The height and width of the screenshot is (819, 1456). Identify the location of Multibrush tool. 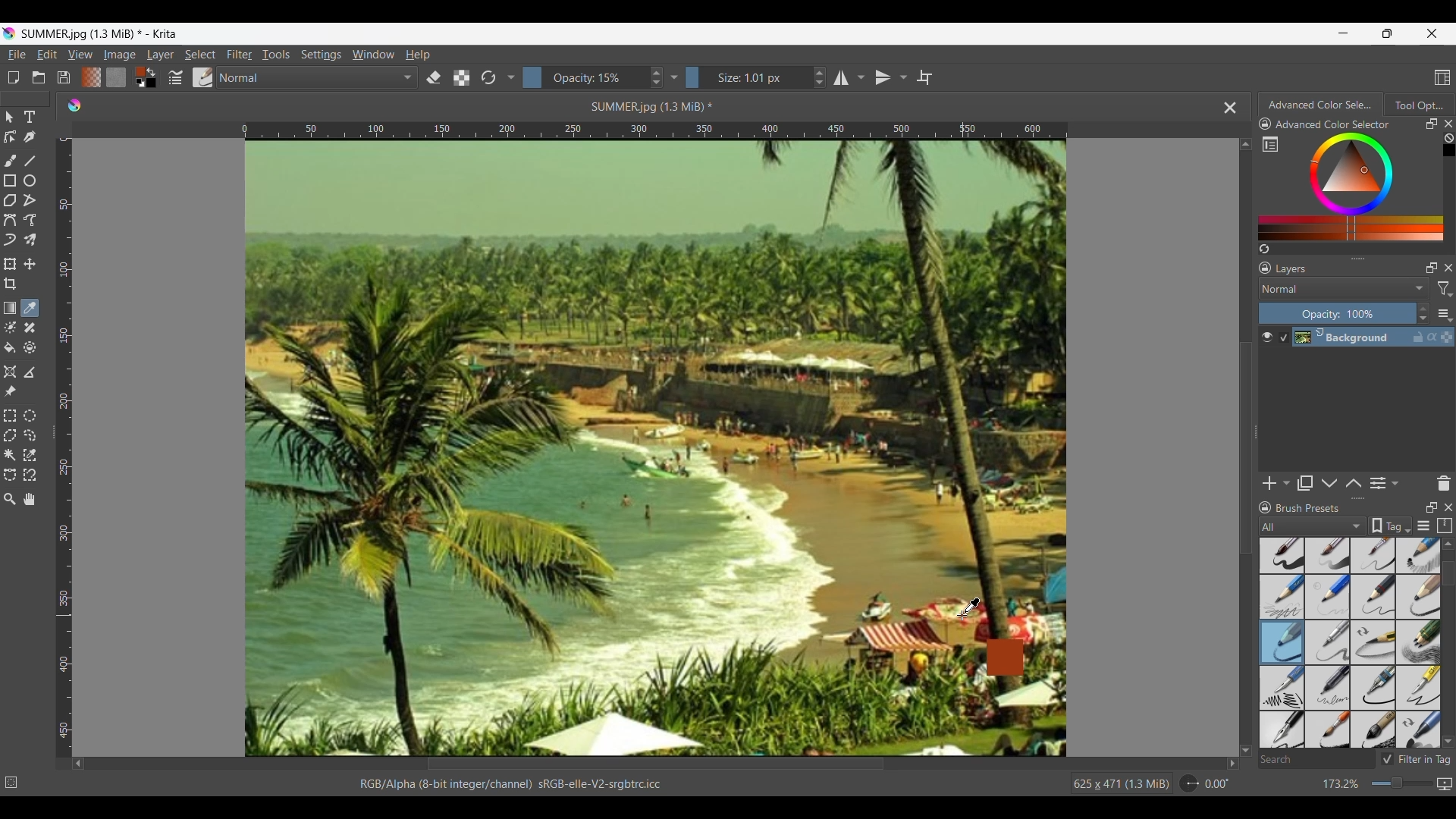
(30, 240).